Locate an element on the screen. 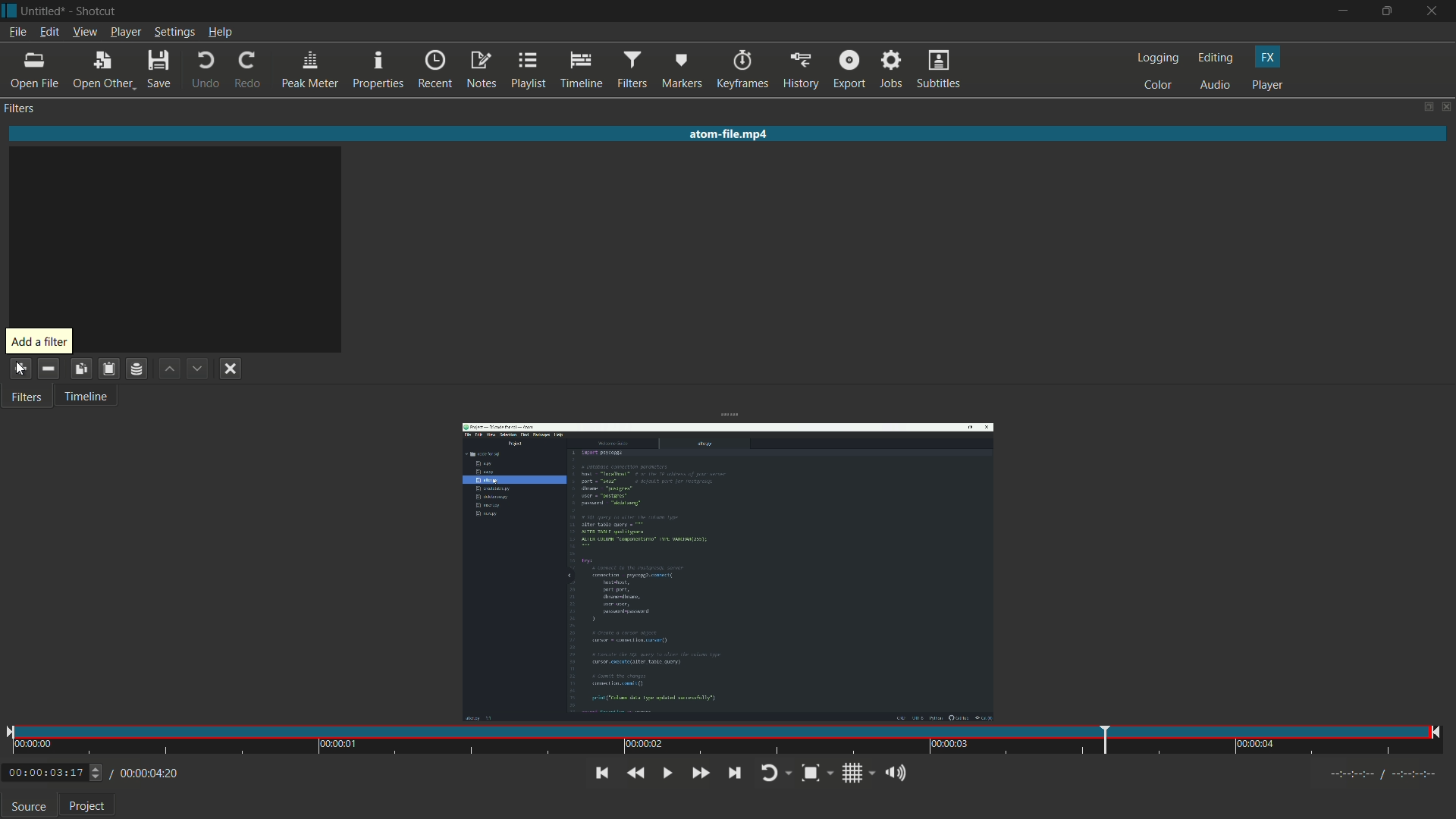  show volume control is located at coordinates (894, 772).